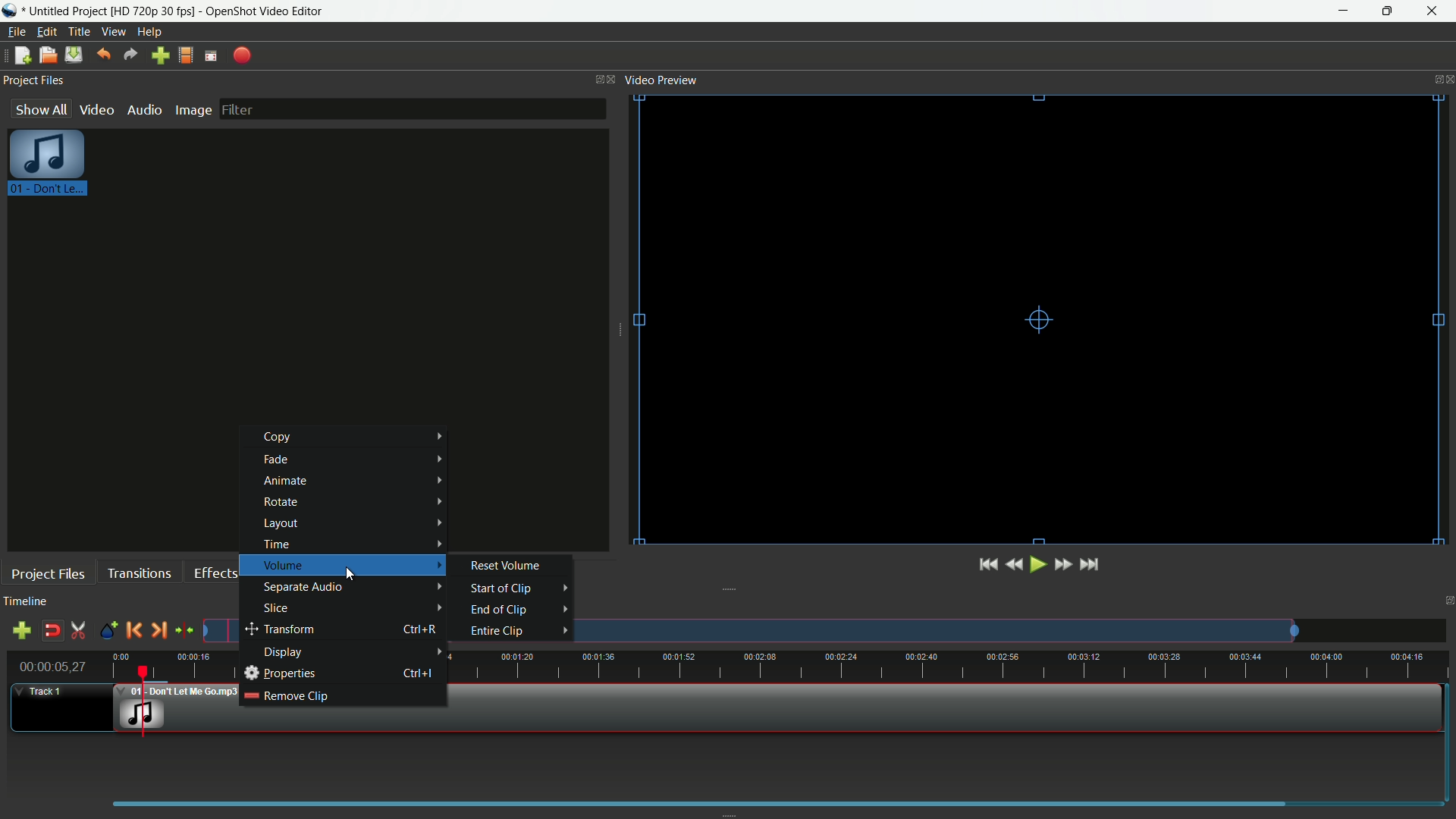 The image size is (1456, 819). Describe the element at coordinates (80, 31) in the screenshot. I see `title menu` at that location.